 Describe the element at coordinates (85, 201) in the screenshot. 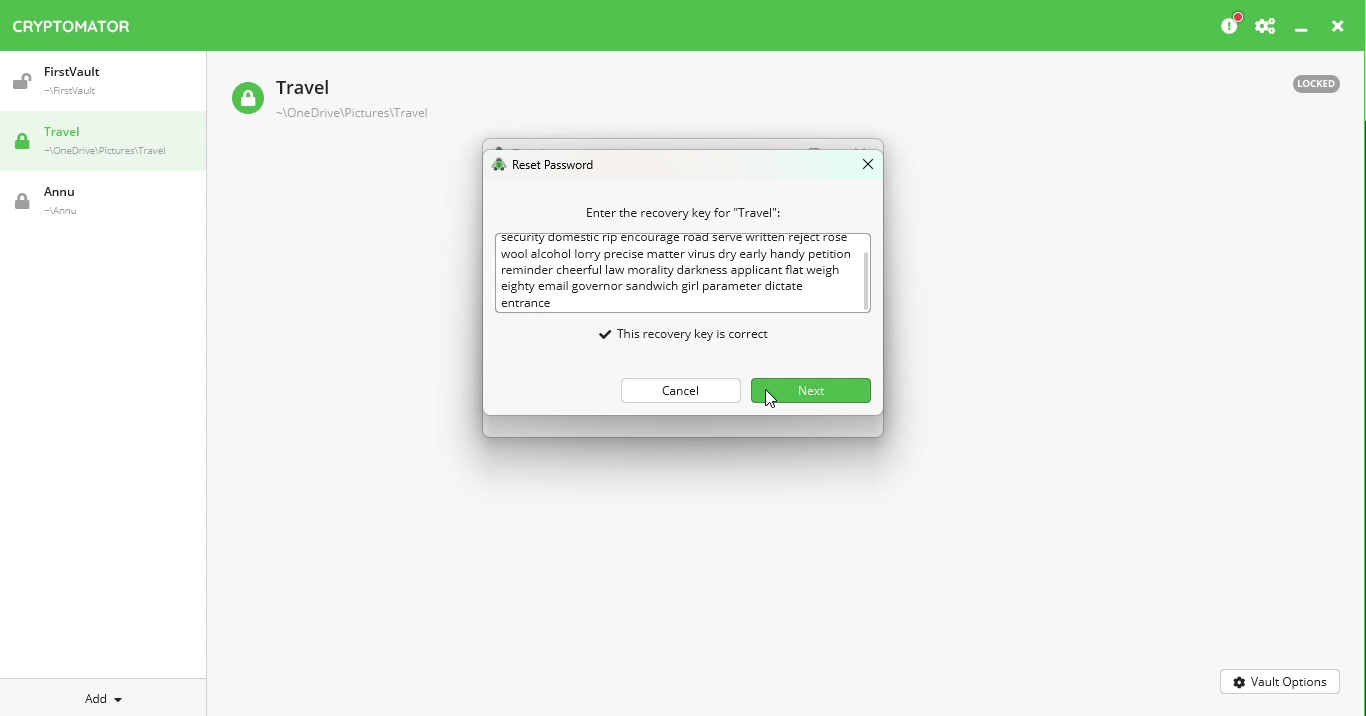

I see `Vault` at that location.